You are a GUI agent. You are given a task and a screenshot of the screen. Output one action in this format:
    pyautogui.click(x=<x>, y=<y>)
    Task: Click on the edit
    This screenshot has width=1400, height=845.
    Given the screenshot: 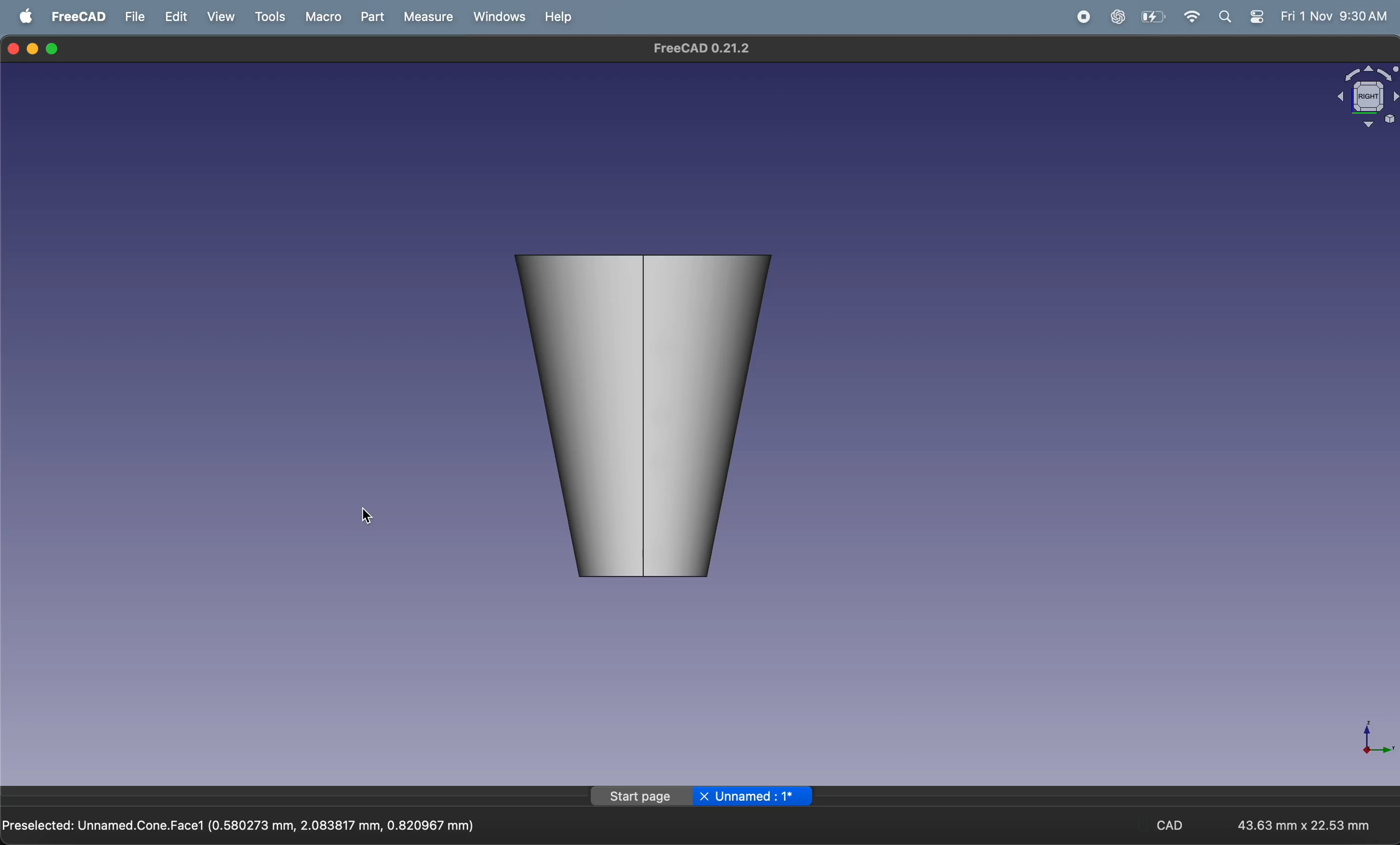 What is the action you would take?
    pyautogui.click(x=179, y=16)
    